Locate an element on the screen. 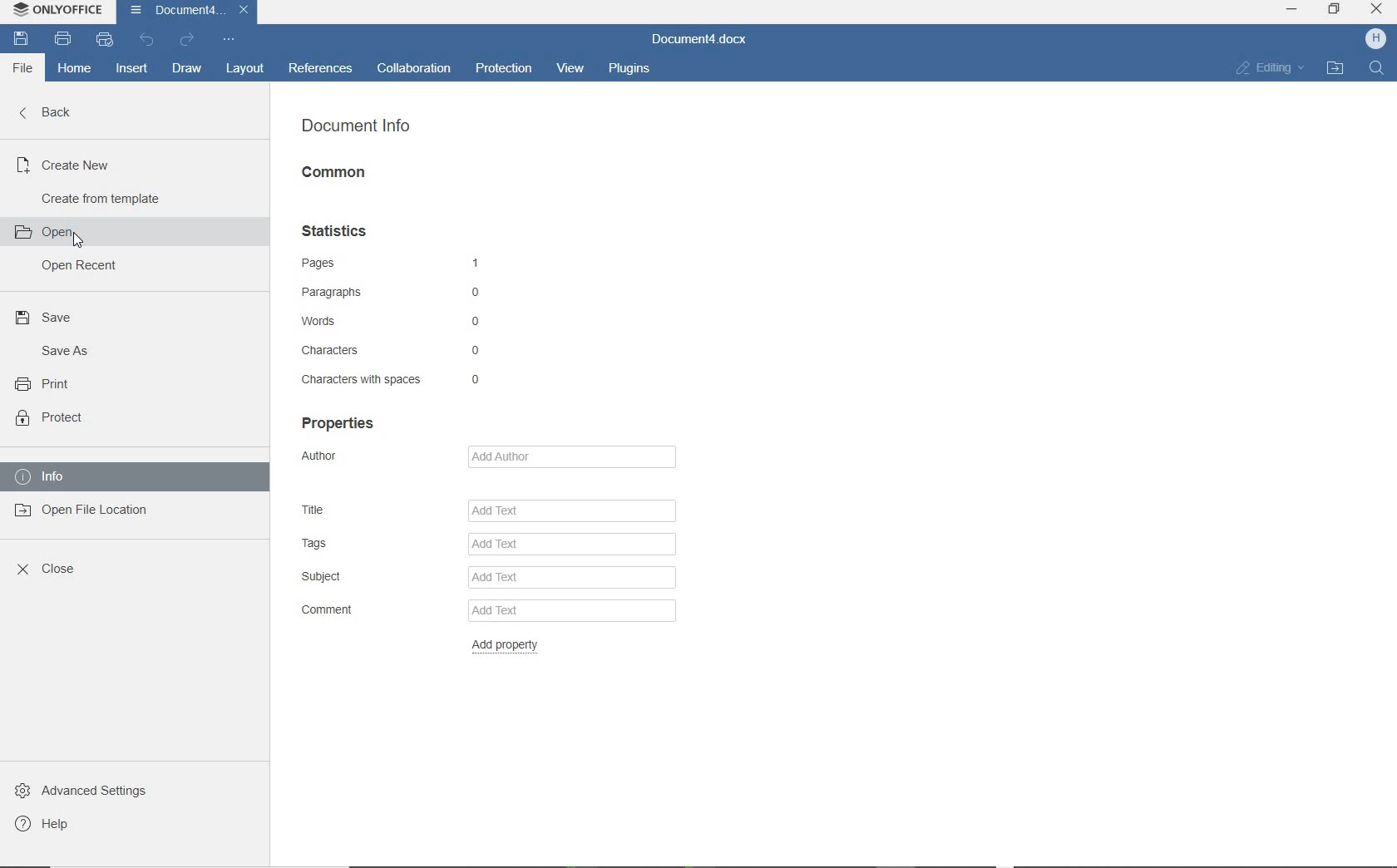 The image size is (1397, 868). quick print is located at coordinates (102, 40).